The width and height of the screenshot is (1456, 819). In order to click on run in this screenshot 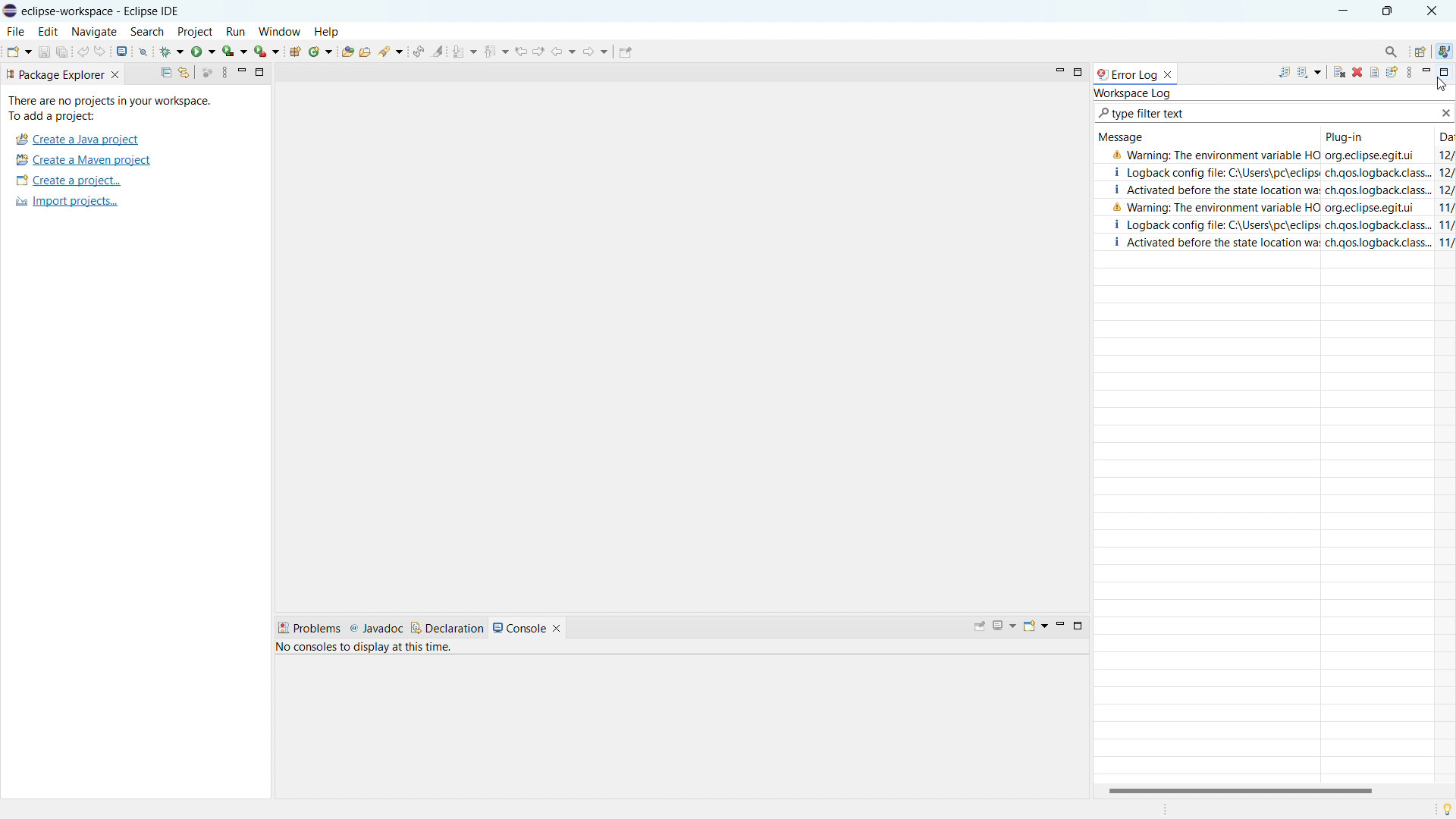, I will do `click(240, 31)`.